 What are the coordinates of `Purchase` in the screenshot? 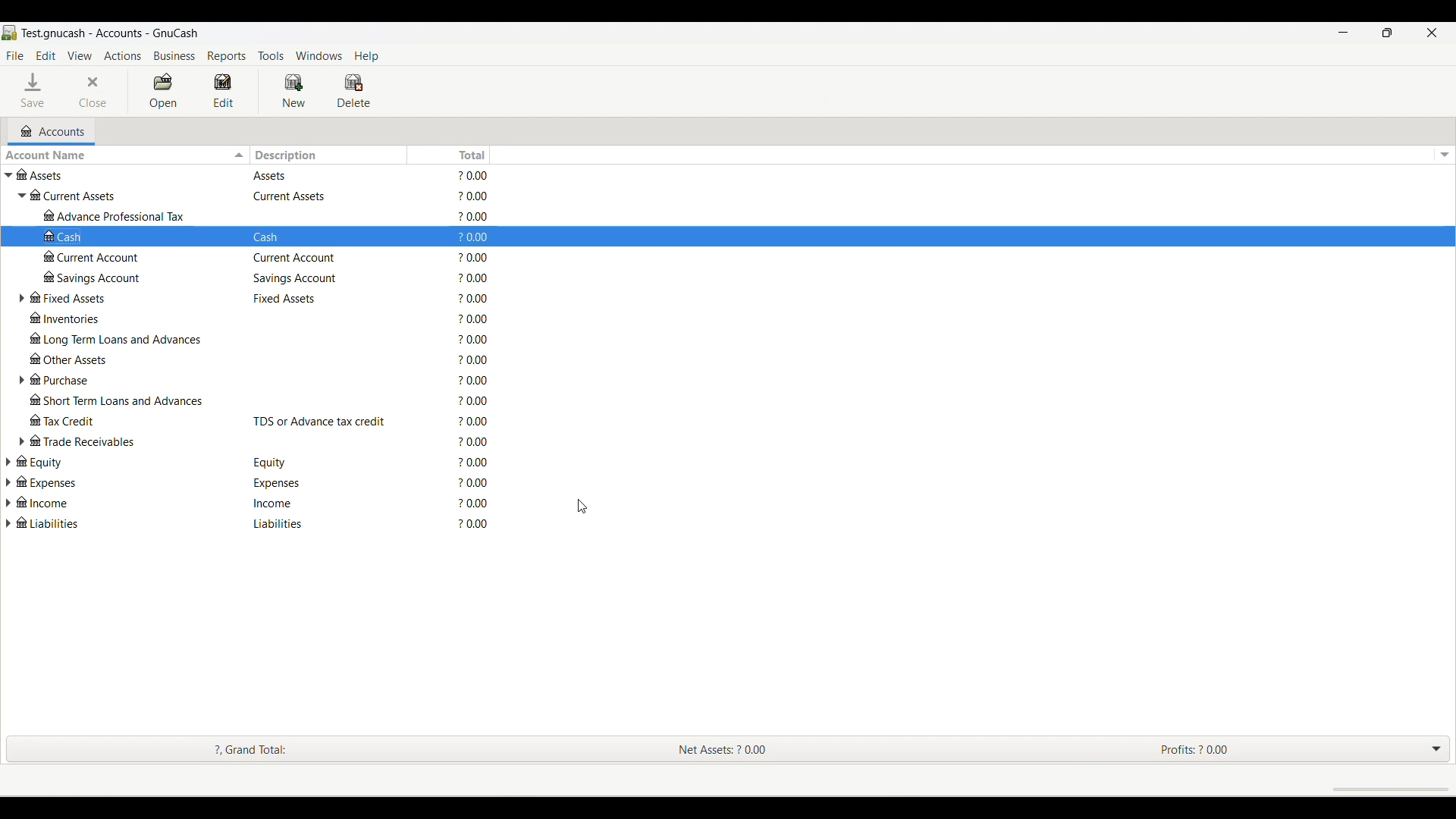 It's located at (129, 379).